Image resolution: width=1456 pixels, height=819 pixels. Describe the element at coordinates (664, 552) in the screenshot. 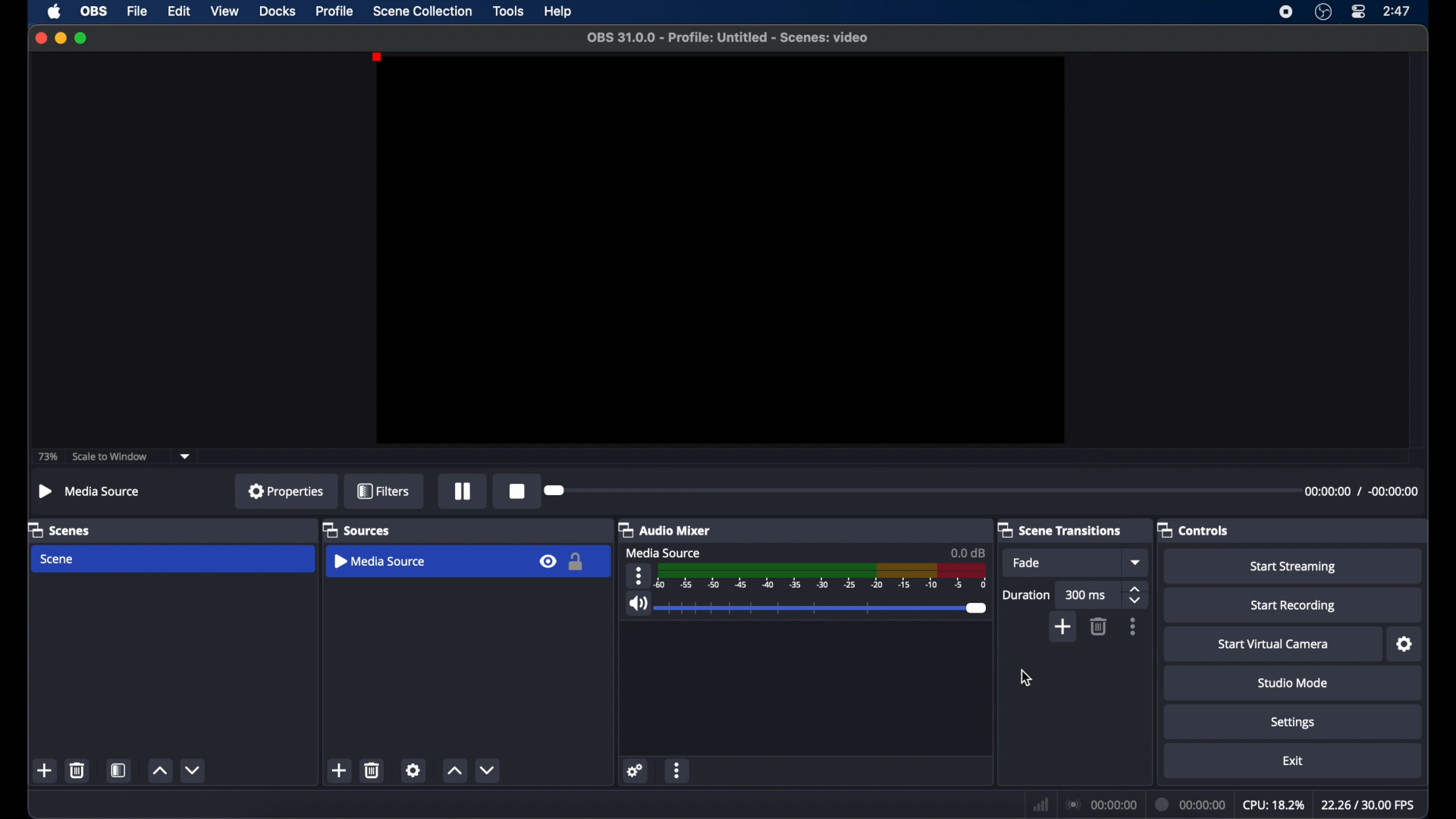

I see `media source` at that location.